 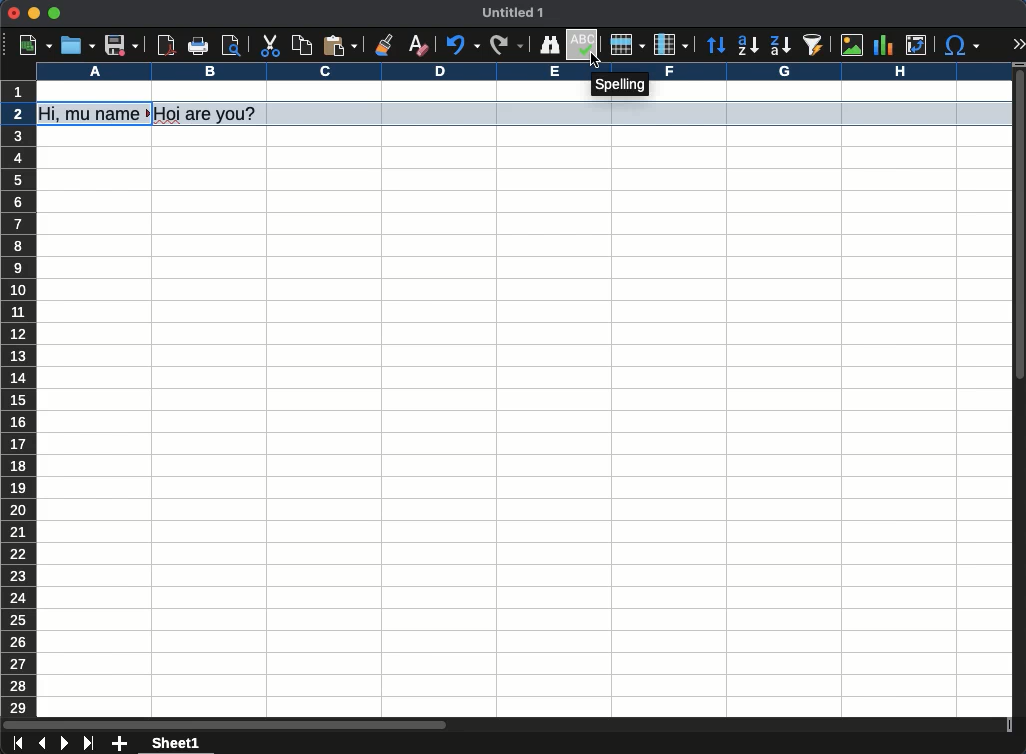 I want to click on expand, so click(x=1020, y=45).